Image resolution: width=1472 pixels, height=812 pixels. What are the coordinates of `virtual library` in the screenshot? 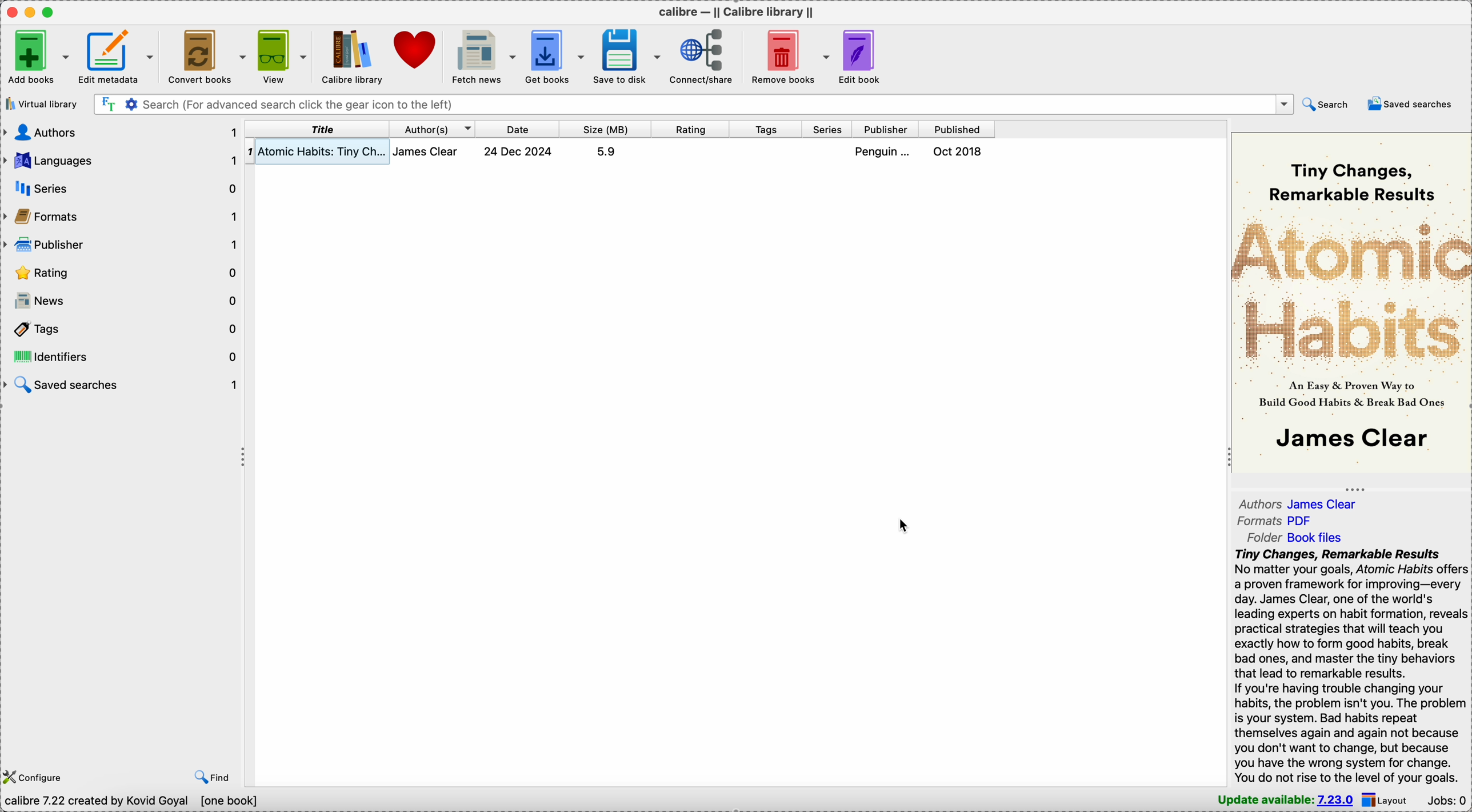 It's located at (41, 104).